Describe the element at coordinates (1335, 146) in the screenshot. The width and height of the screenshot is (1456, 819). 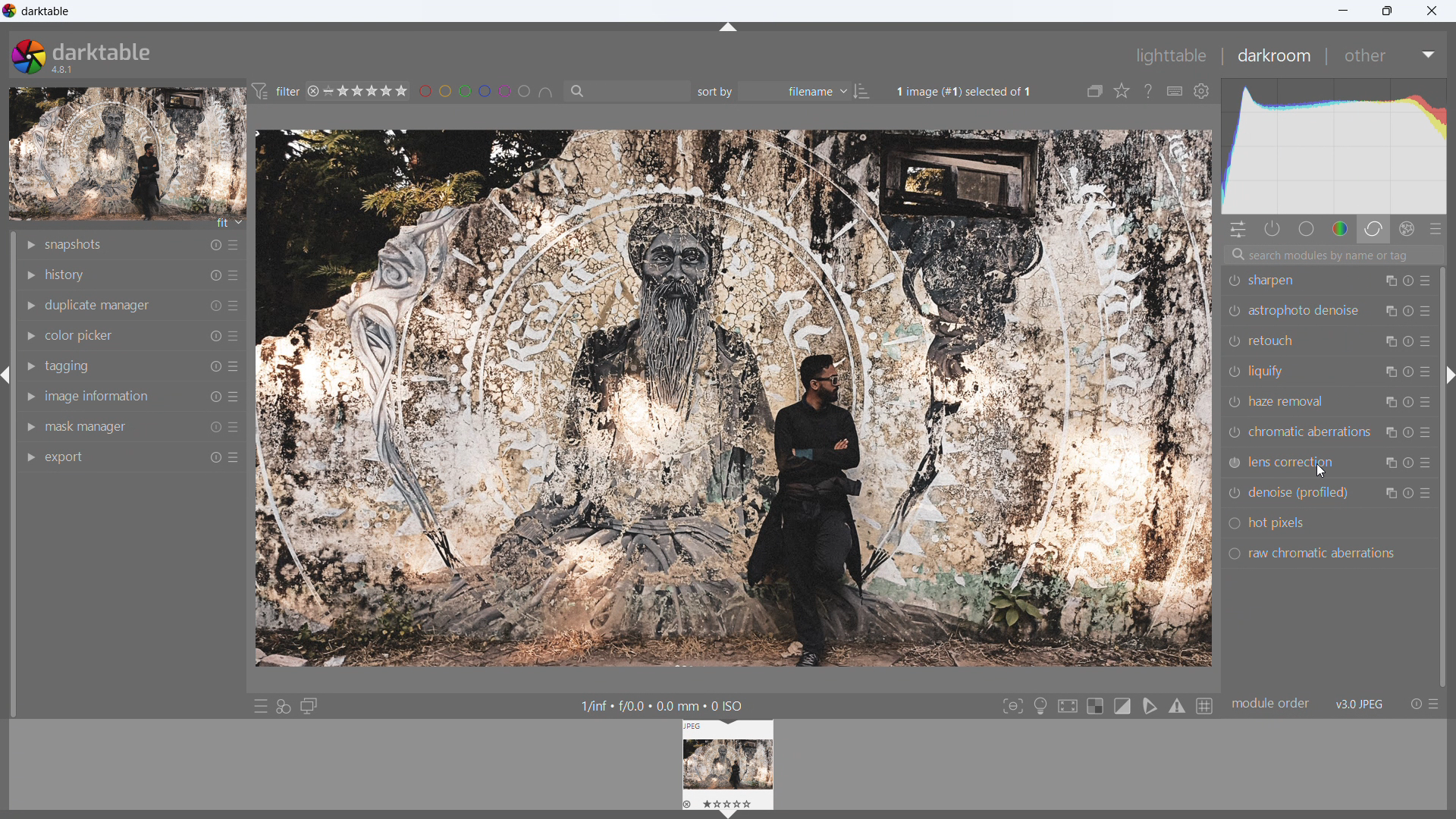
I see `histogram` at that location.